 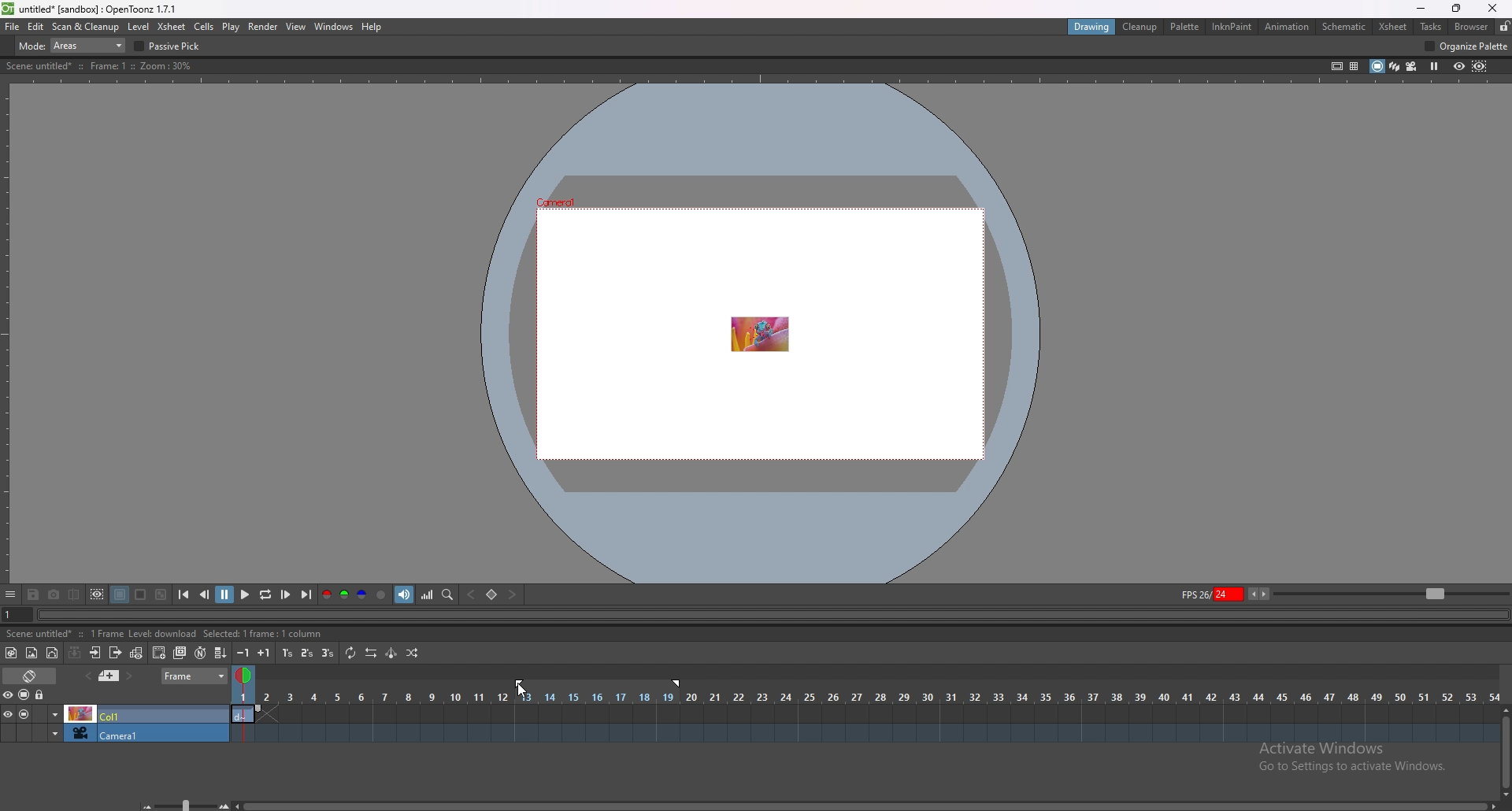 What do you see at coordinates (226, 593) in the screenshot?
I see `pause` at bounding box center [226, 593].